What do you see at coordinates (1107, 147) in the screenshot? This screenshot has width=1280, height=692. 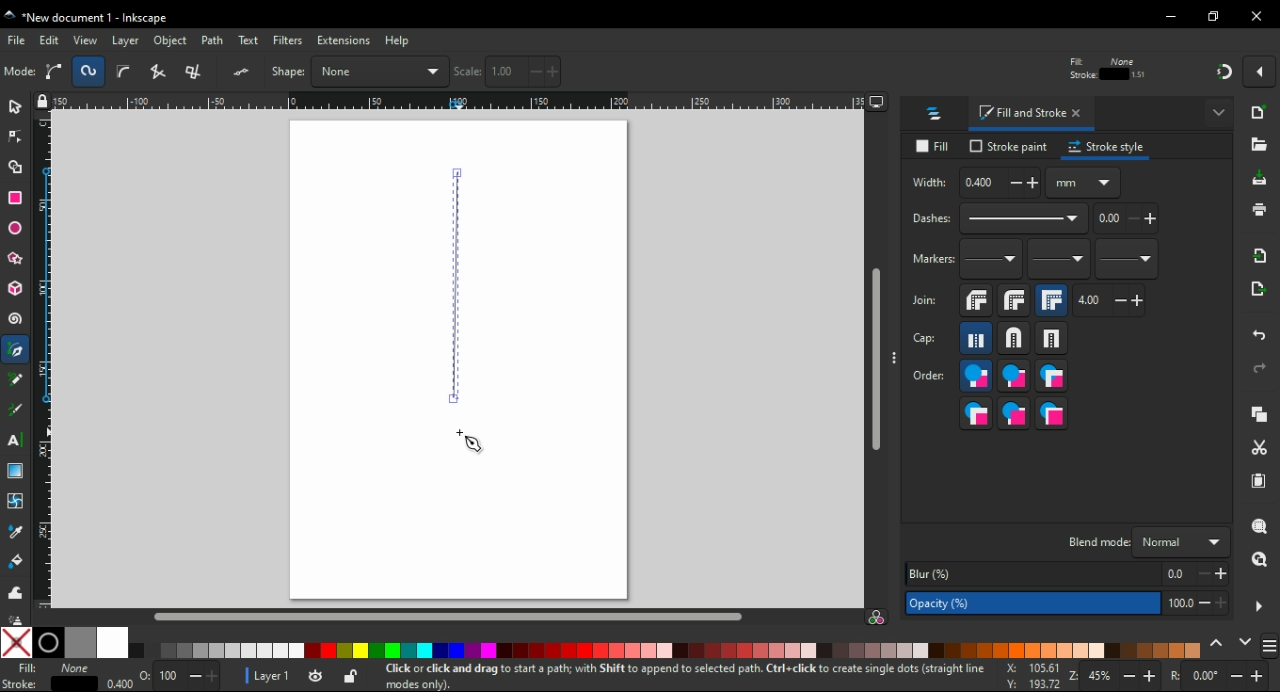 I see `stroke style` at bounding box center [1107, 147].